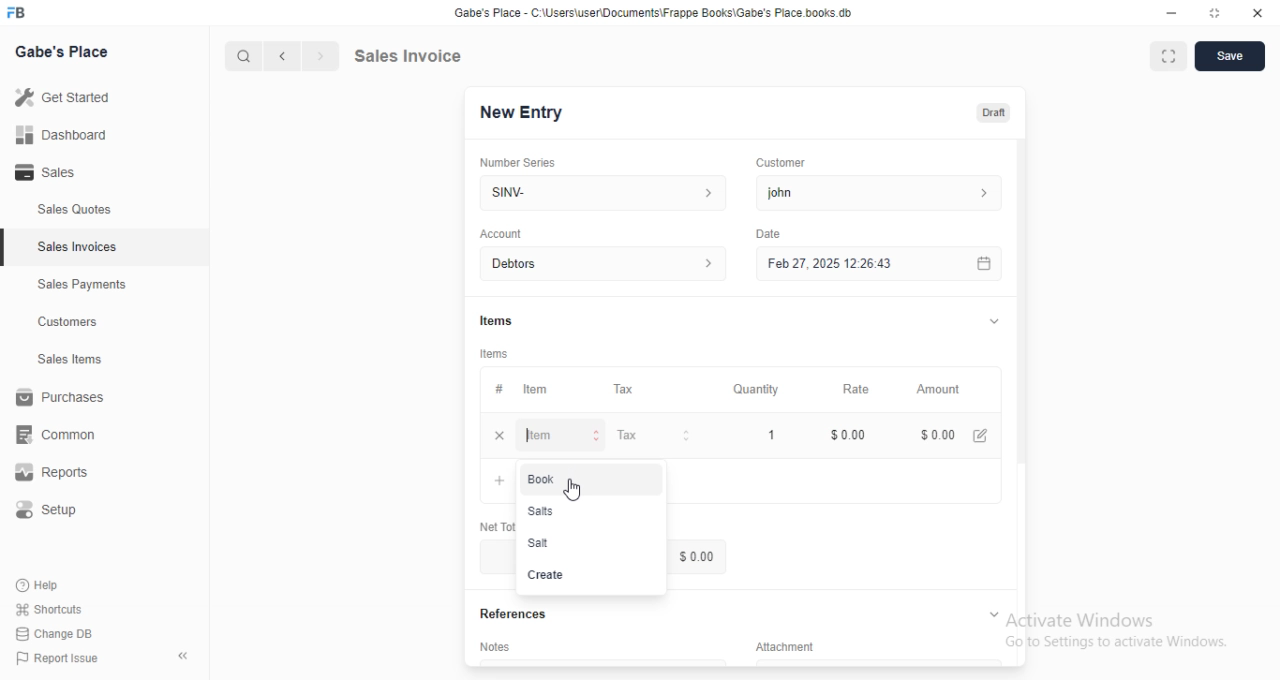 The width and height of the screenshot is (1280, 680). What do you see at coordinates (57, 634) in the screenshot?
I see `Change DB` at bounding box center [57, 634].